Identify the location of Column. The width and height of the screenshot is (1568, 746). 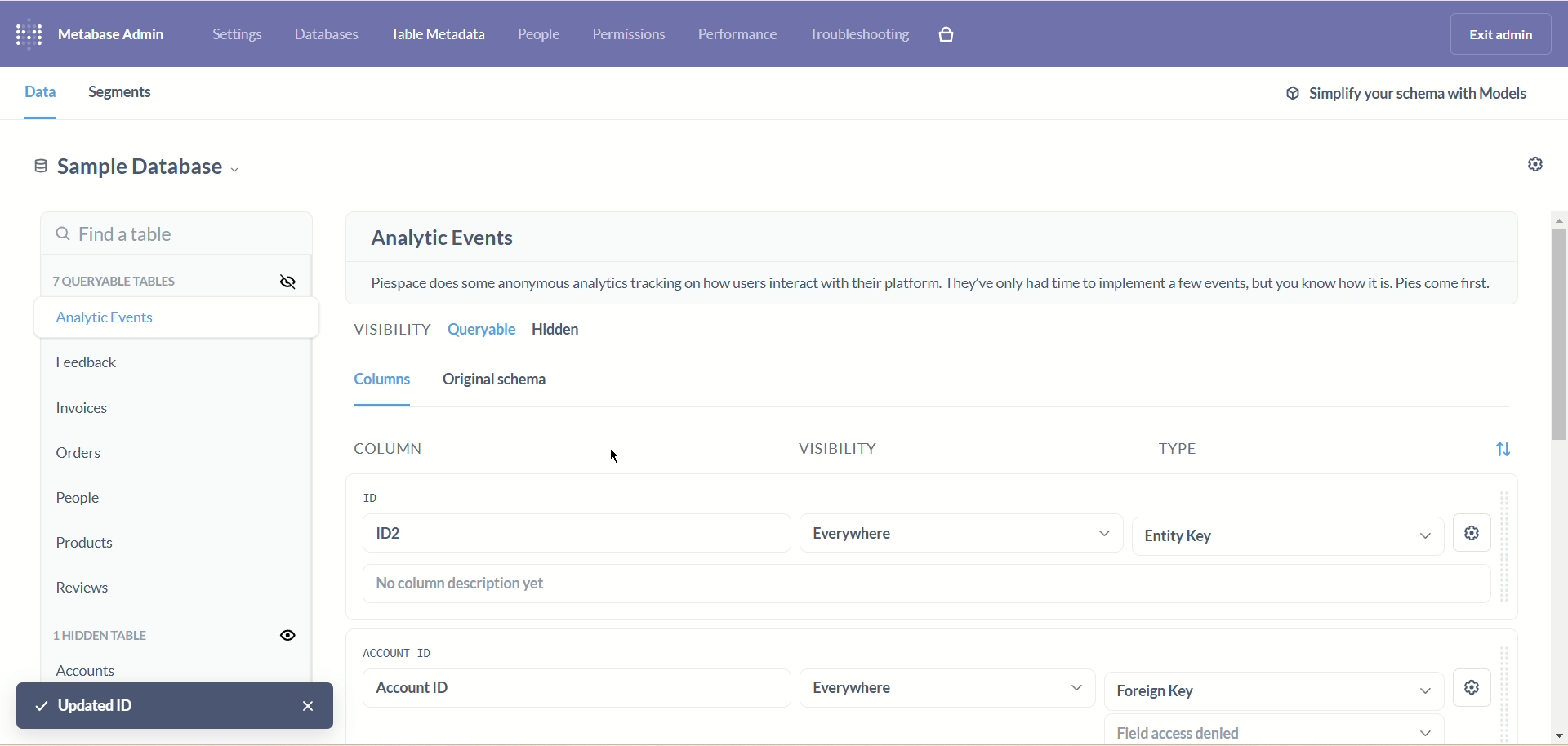
(467, 450).